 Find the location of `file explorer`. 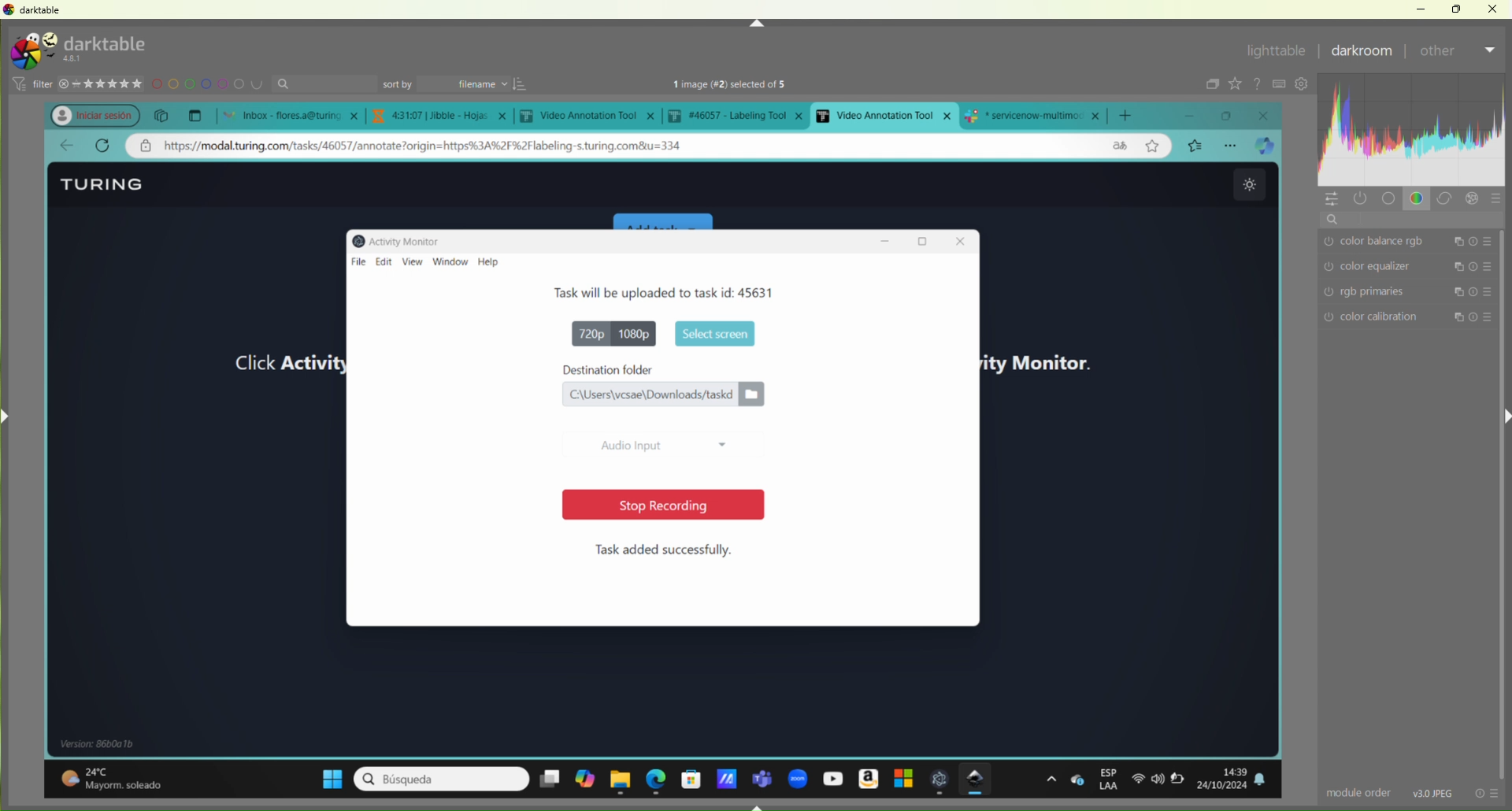

file explorer is located at coordinates (622, 779).